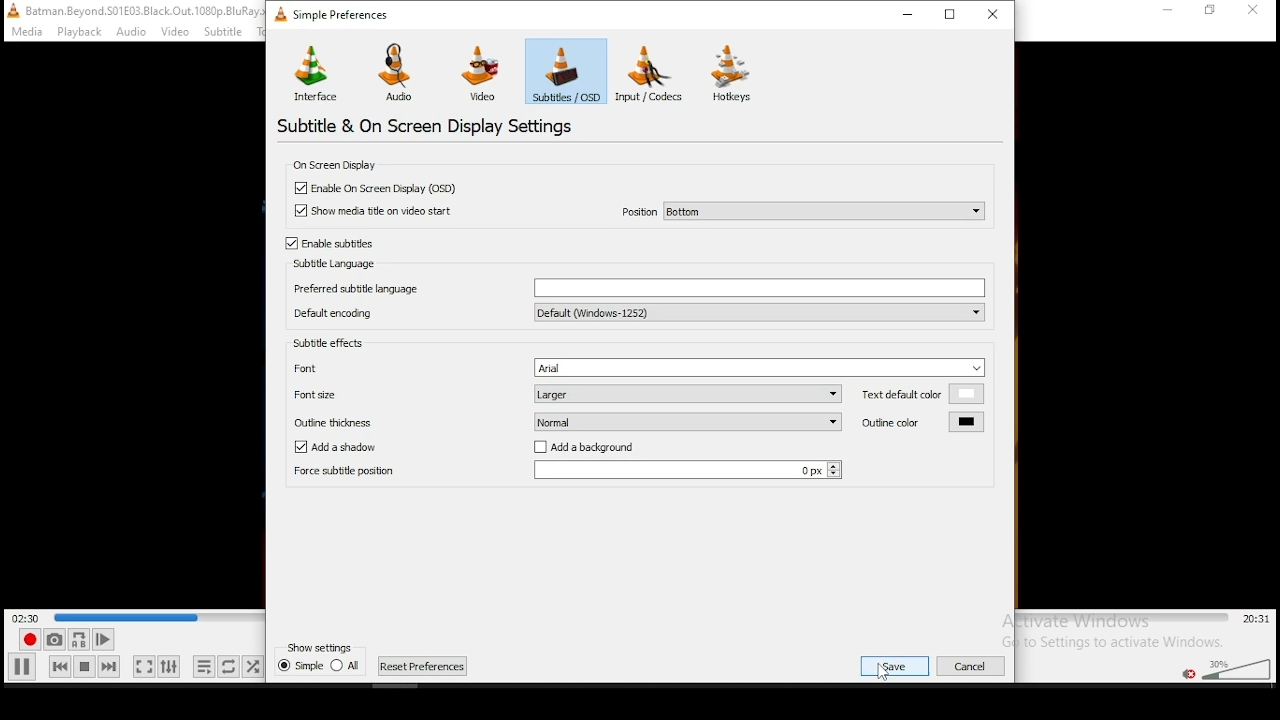  I want to click on take a snapshot, so click(54, 639).